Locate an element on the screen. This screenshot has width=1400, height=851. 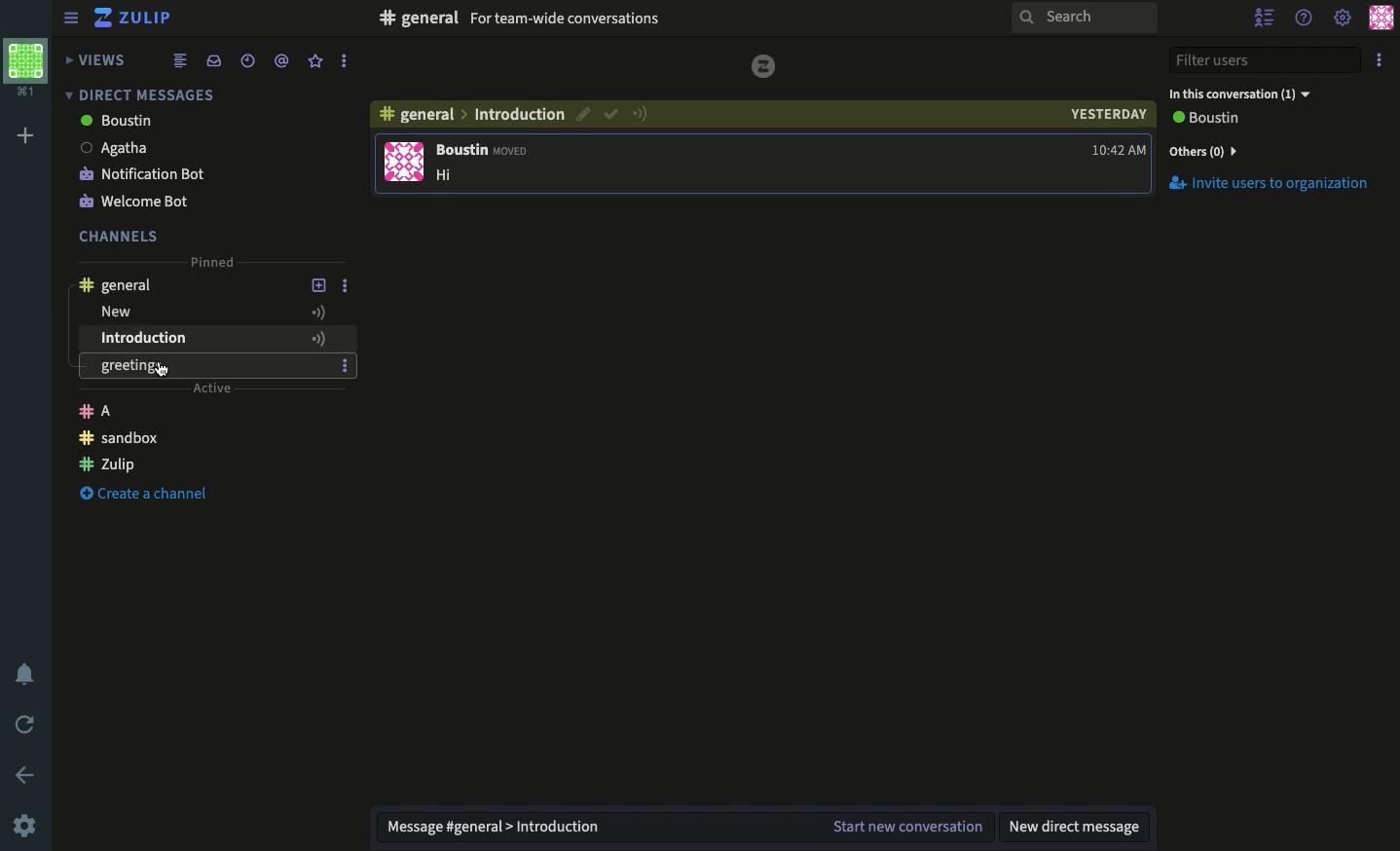
Settings is located at coordinates (24, 825).